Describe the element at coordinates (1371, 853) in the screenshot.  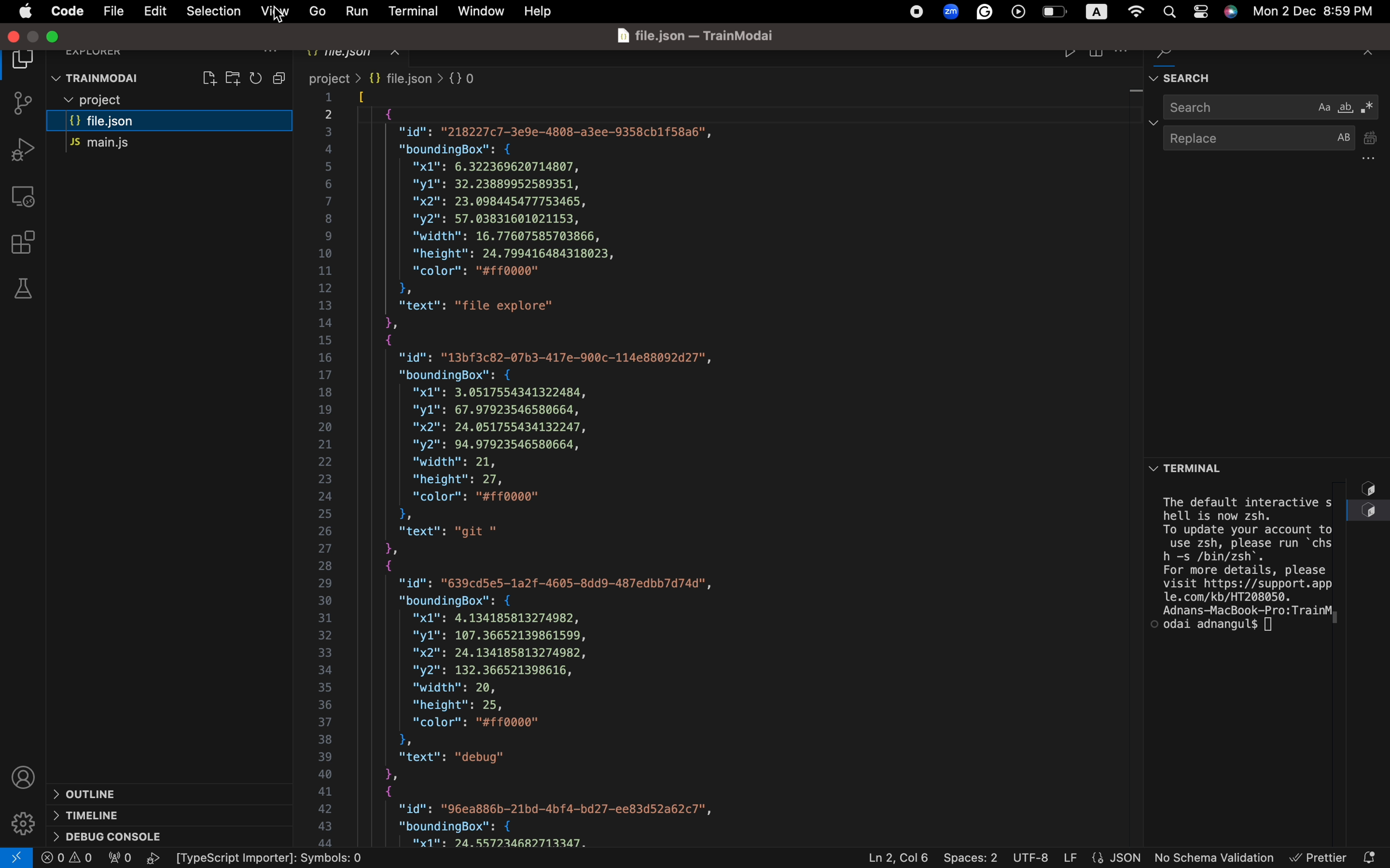
I see `notification` at that location.